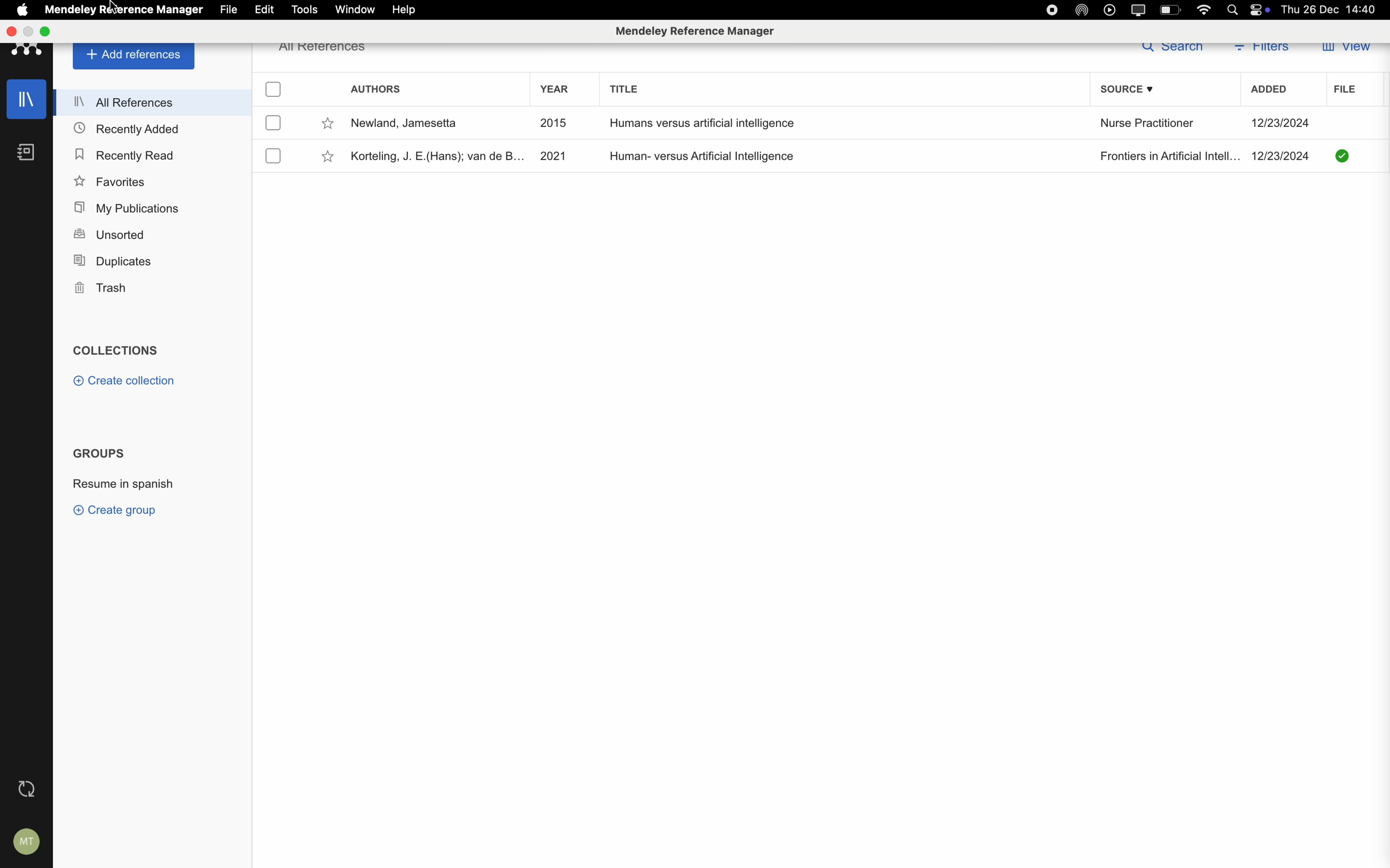 This screenshot has width=1390, height=868. I want to click on Spotlight search, so click(1236, 9).